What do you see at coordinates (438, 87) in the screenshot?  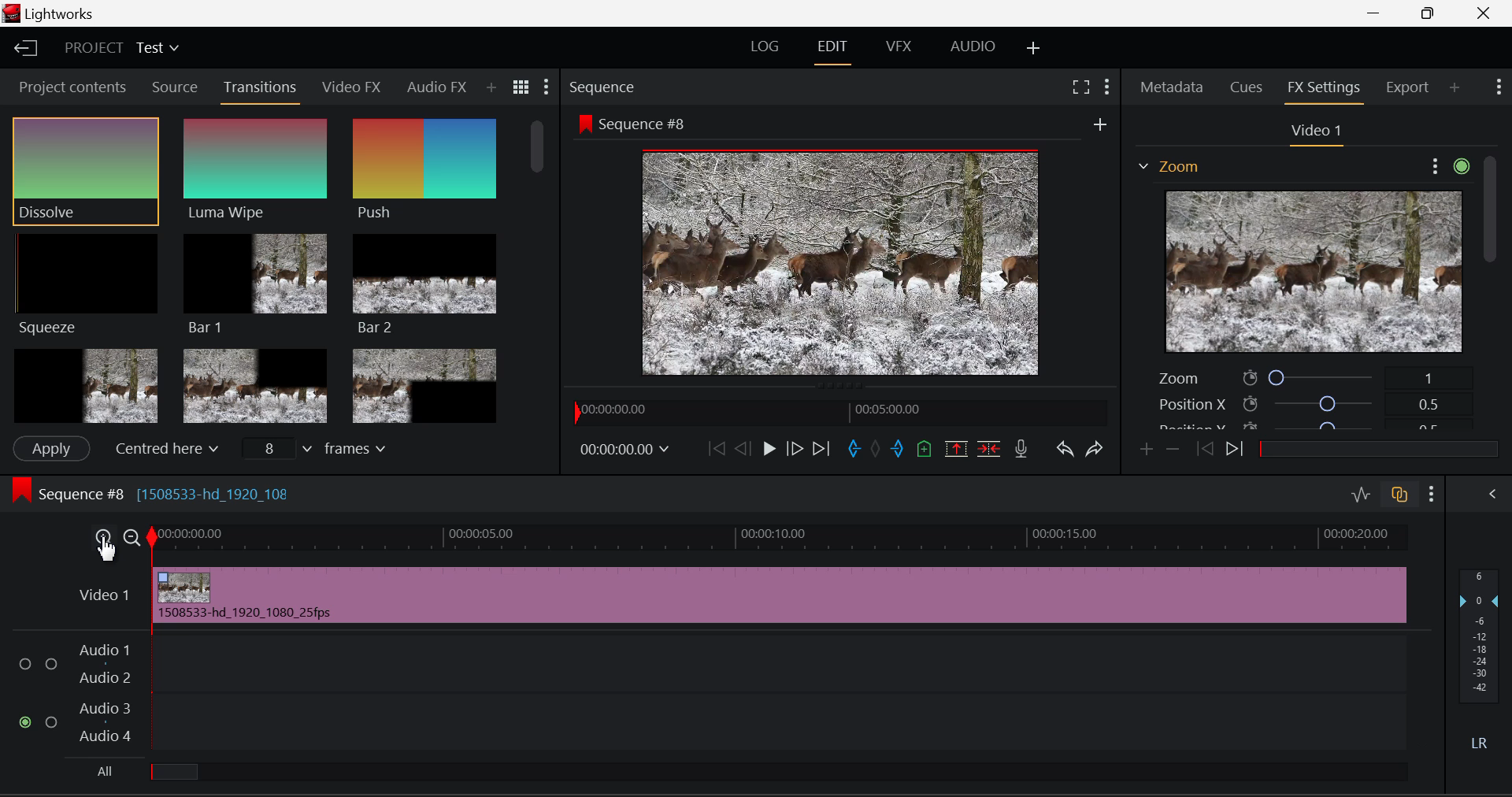 I see `Audio FX` at bounding box center [438, 87].